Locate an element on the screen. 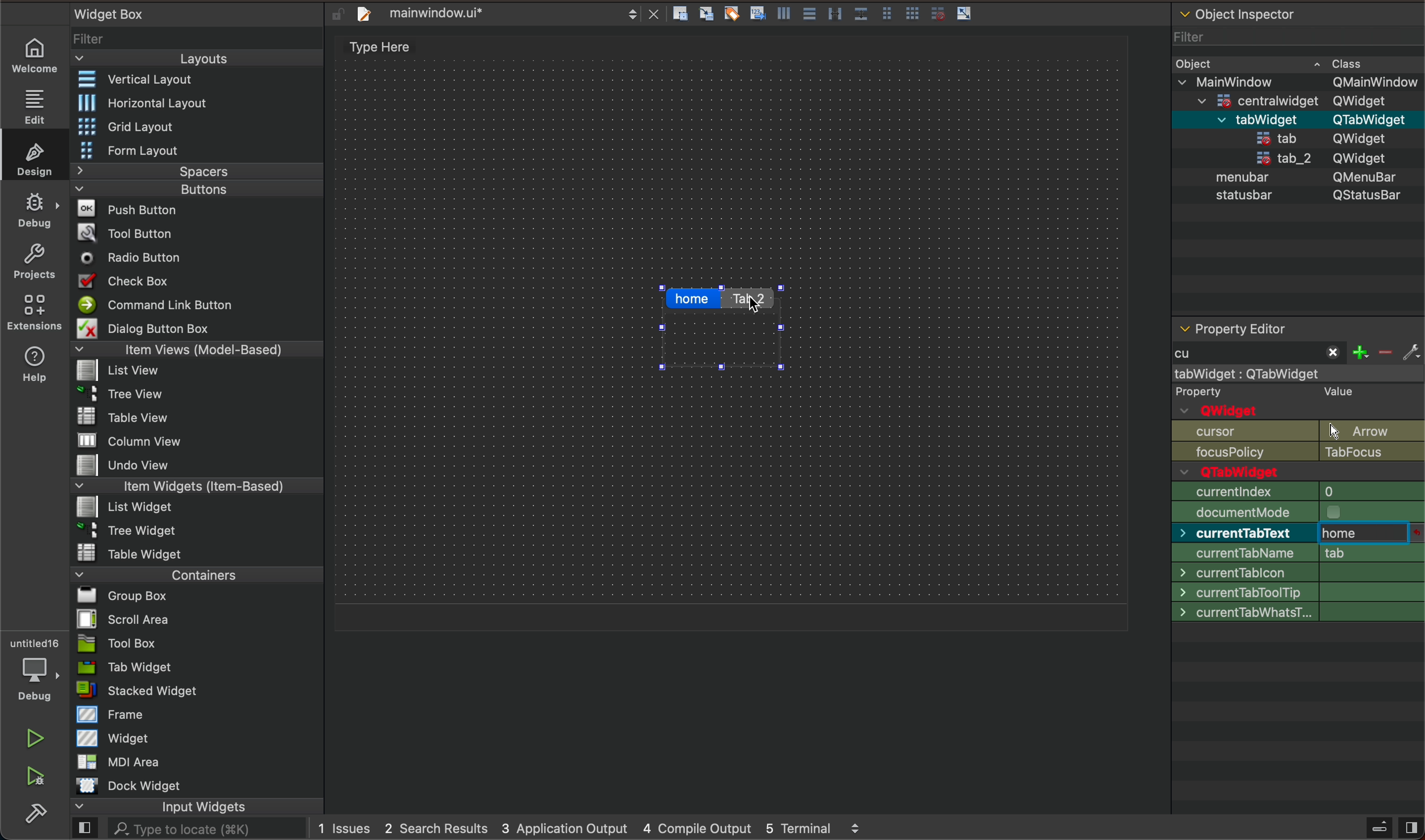 This screenshot has height=840, width=1425. base size is located at coordinates (1298, 589).